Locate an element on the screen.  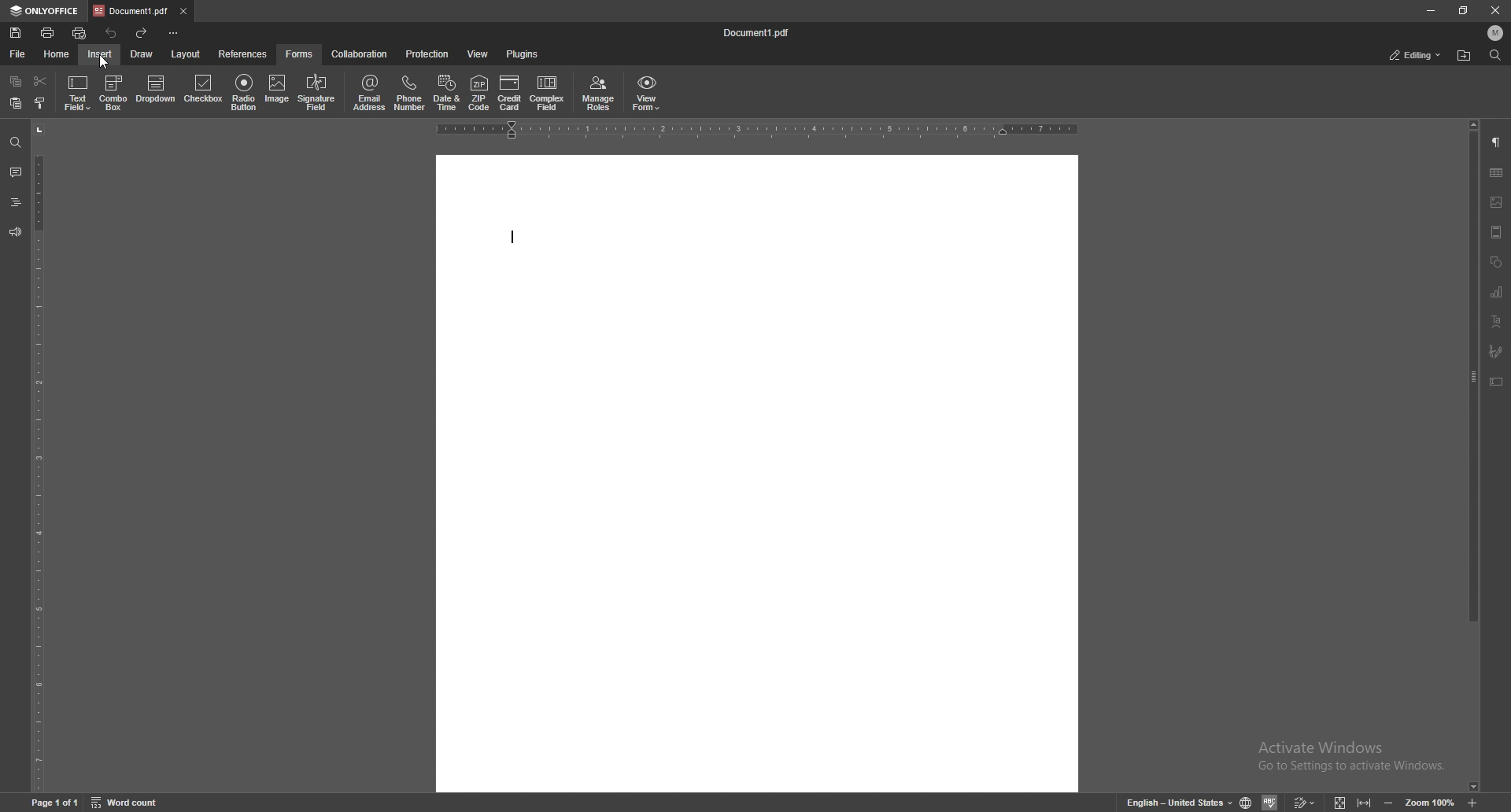
close tab is located at coordinates (183, 11).